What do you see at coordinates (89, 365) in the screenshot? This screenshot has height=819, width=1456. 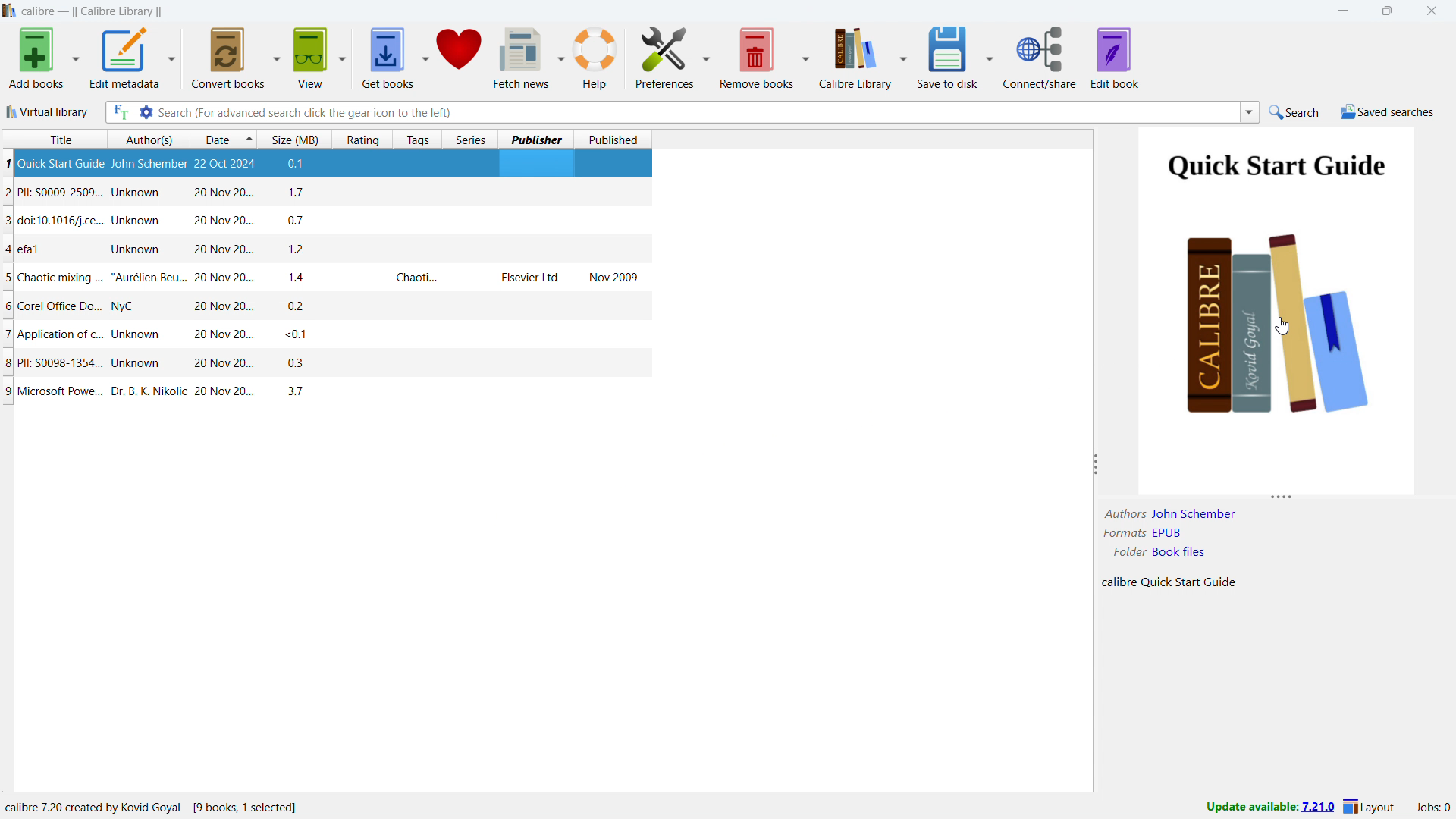 I see `Pll: S0098-1354... Unknown` at bounding box center [89, 365].